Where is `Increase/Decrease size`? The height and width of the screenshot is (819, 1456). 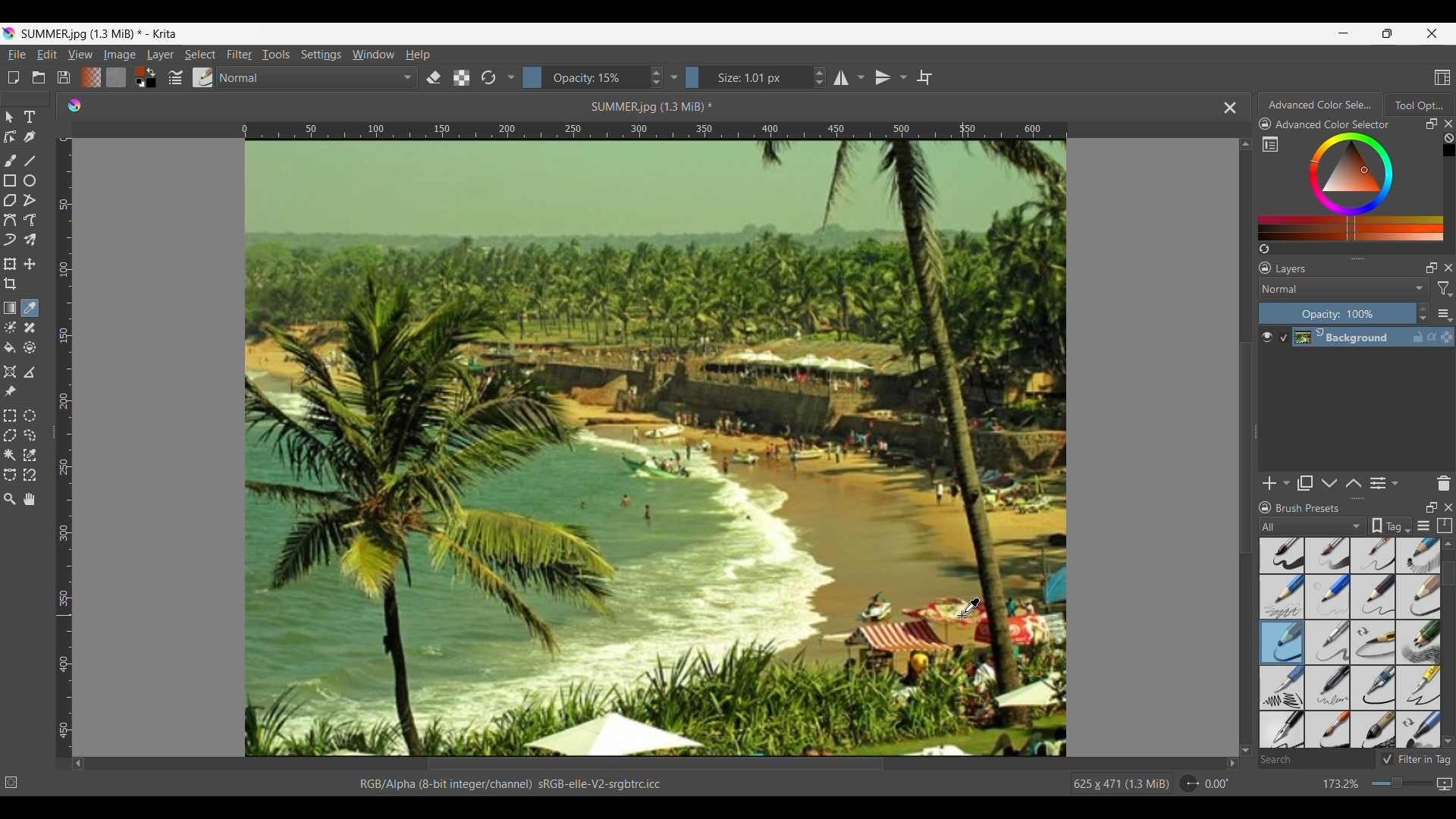 Increase/Decrease size is located at coordinates (820, 77).